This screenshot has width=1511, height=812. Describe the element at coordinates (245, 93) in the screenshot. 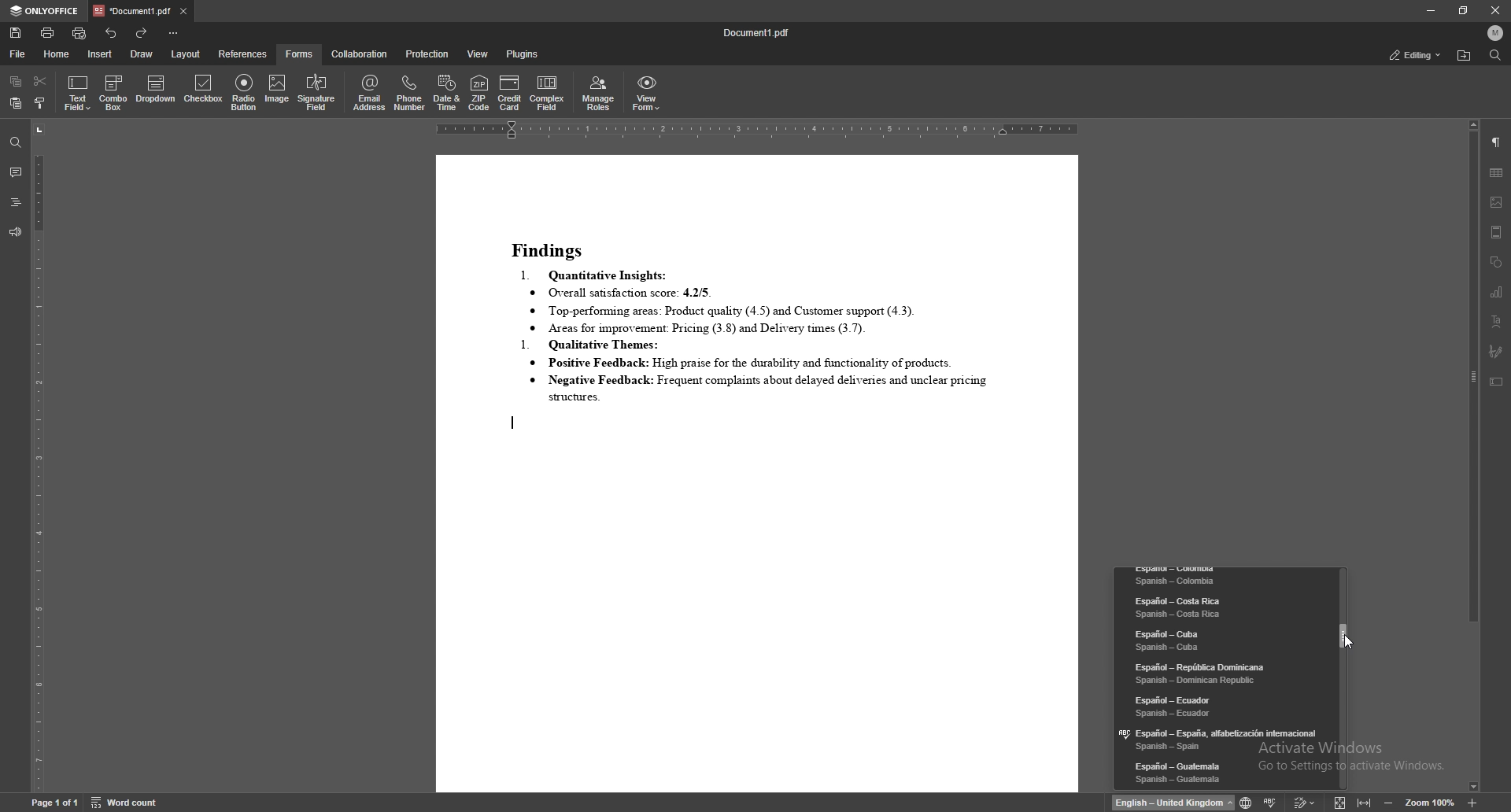

I see `radio button` at that location.